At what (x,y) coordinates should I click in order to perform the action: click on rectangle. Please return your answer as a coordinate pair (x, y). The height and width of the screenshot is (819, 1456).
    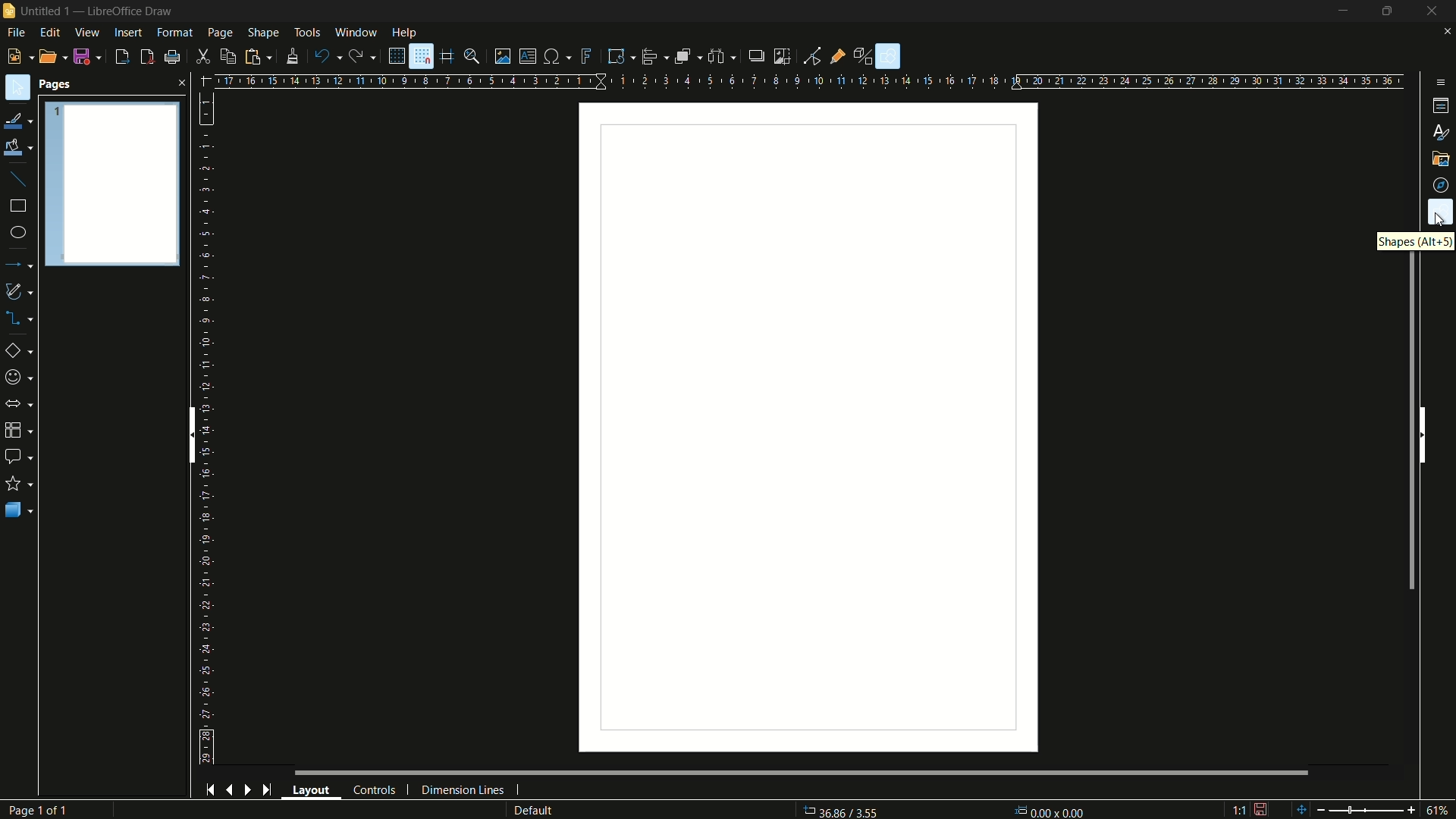
    Looking at the image, I should click on (18, 206).